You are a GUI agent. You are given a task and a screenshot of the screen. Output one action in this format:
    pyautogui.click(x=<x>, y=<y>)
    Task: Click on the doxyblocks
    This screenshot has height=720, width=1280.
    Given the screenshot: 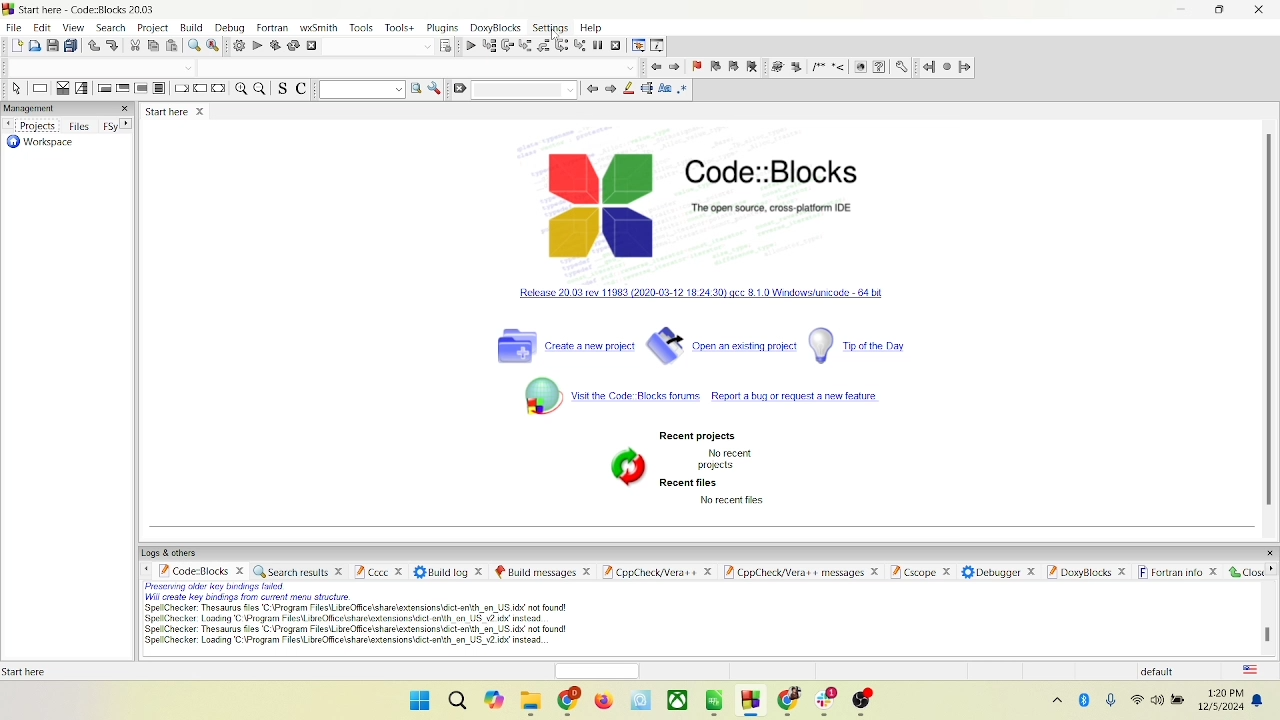 What is the action you would take?
    pyautogui.click(x=496, y=27)
    